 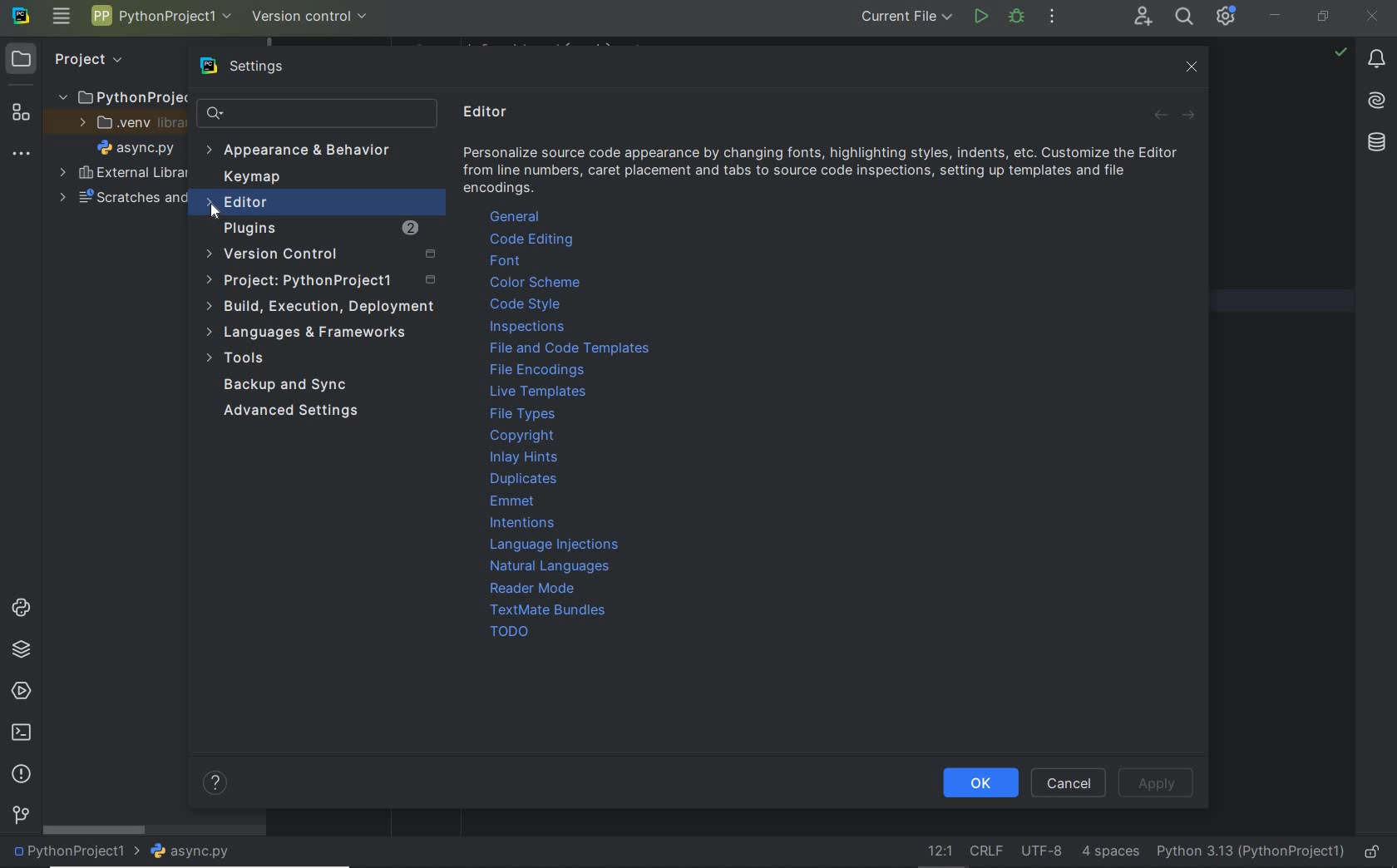 What do you see at coordinates (824, 173) in the screenshot?
I see `Personalize source code appearance by changing fonts, highlighting styles, indents, etc. Customize the Editor from line numbers, caret placement and tabs to source code inspections, setting up templates and file encodings.` at bounding box center [824, 173].